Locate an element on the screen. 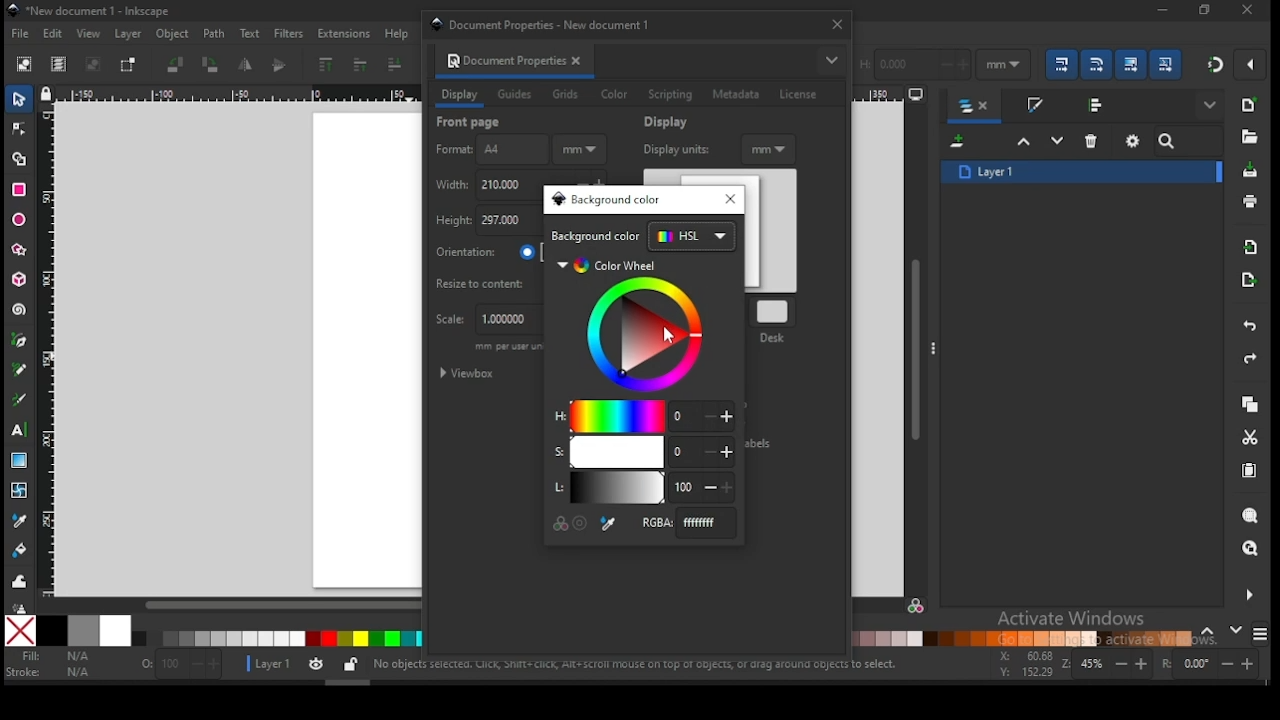  color palette is located at coordinates (1023, 638).